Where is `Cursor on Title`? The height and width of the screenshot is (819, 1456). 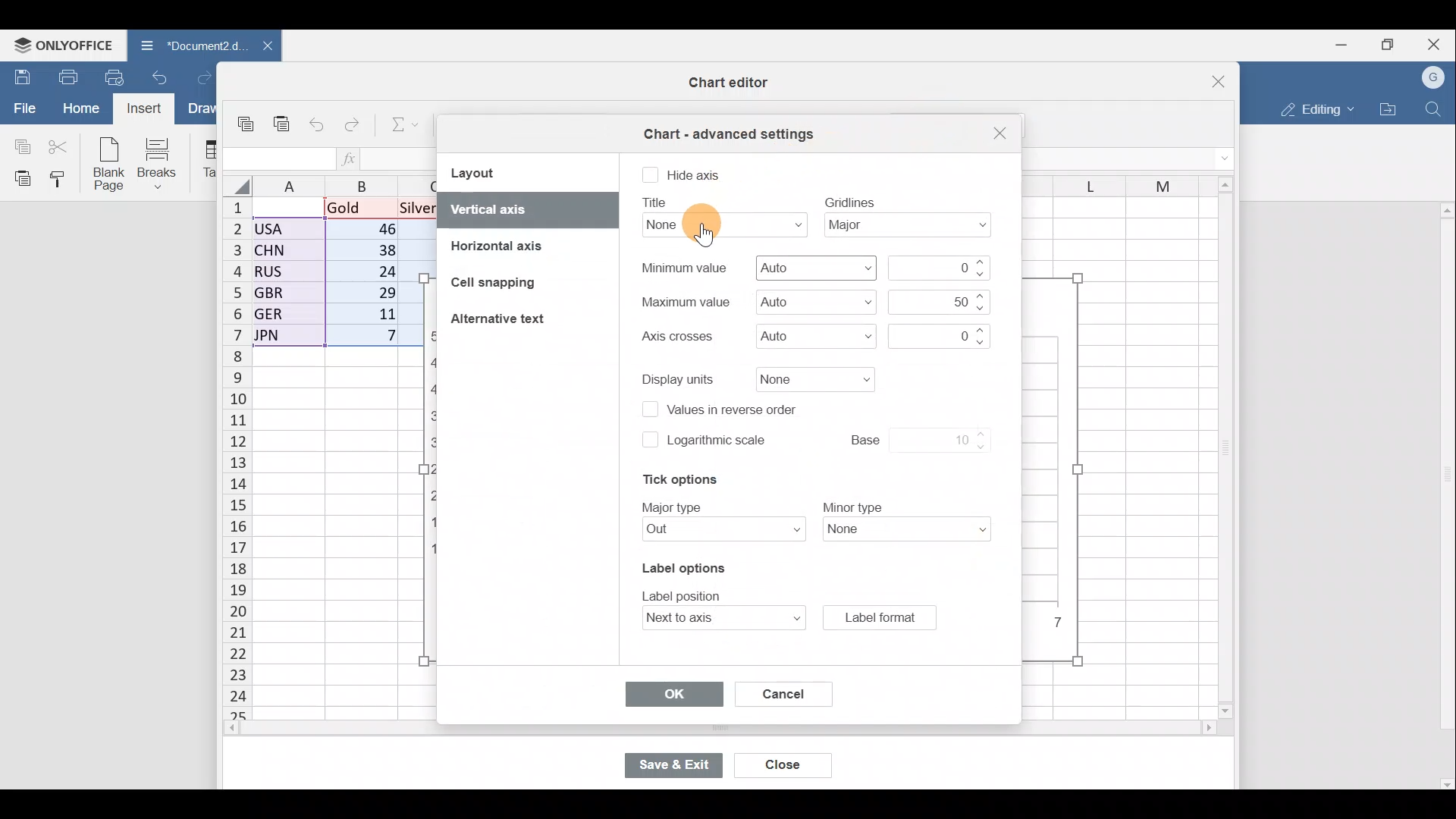 Cursor on Title is located at coordinates (708, 239).